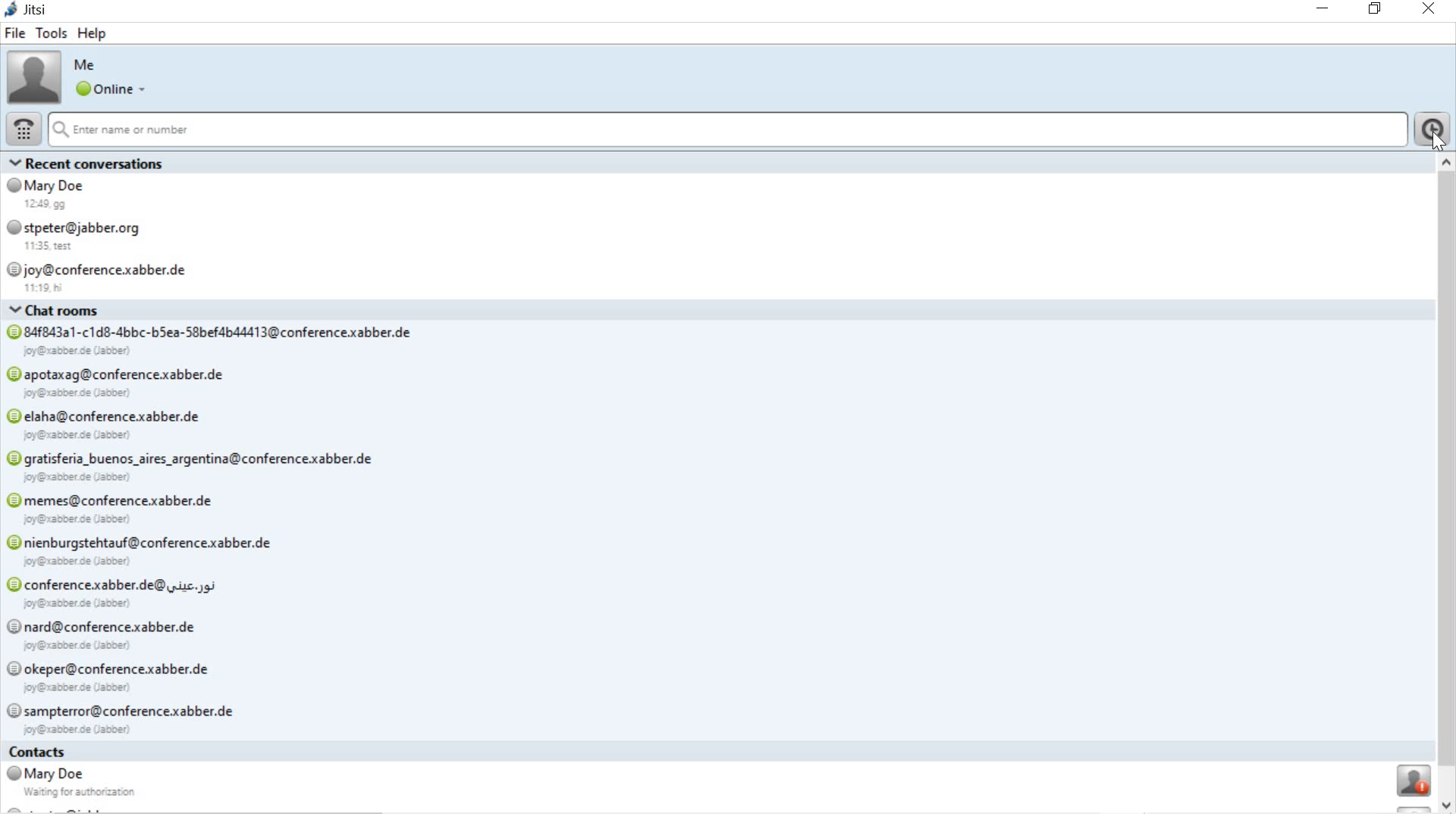 The image size is (1456, 814). Describe the element at coordinates (92, 33) in the screenshot. I see `help` at that location.